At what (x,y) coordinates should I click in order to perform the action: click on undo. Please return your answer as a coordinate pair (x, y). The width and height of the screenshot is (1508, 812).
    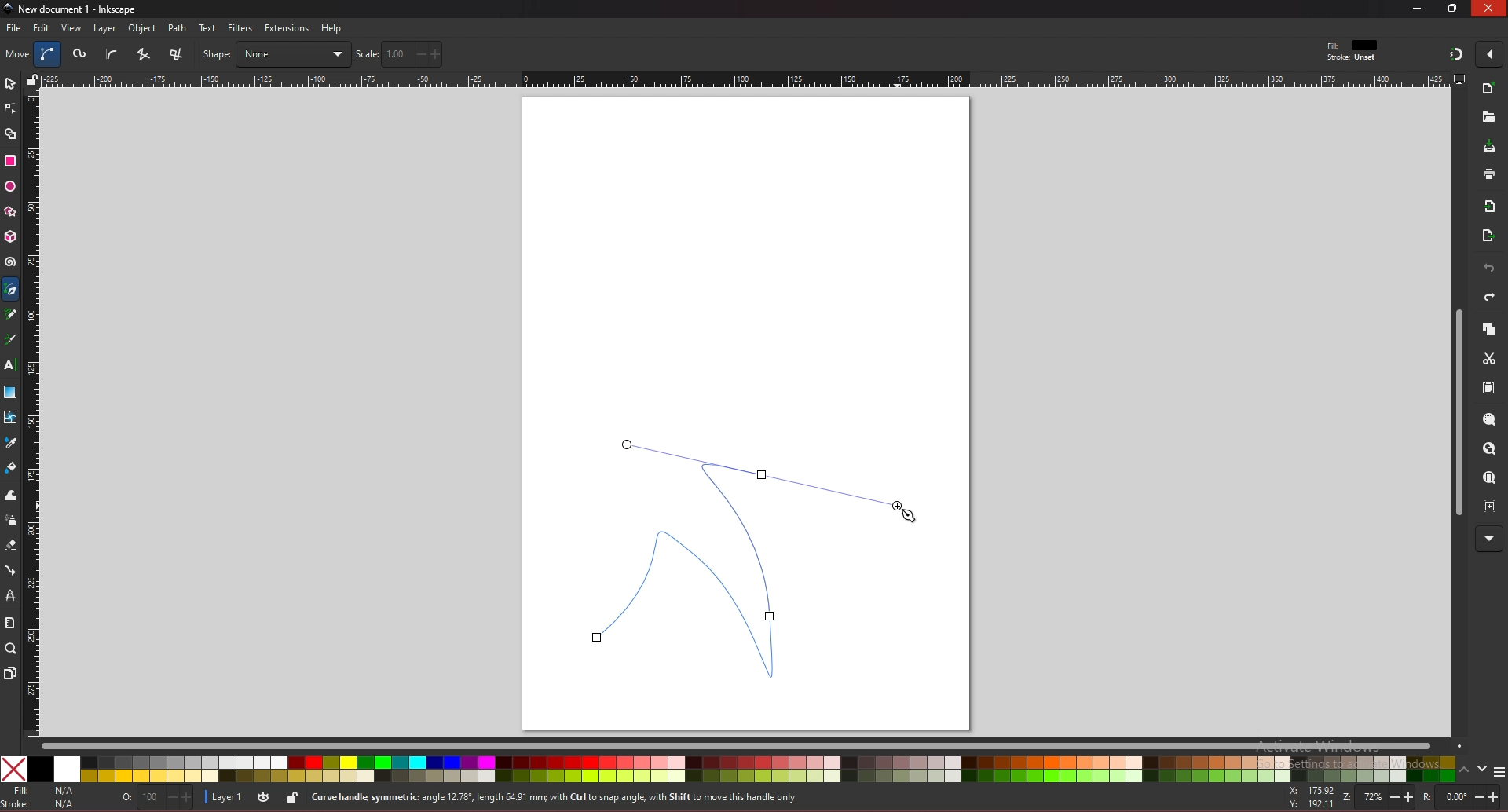
    Looking at the image, I should click on (1489, 269).